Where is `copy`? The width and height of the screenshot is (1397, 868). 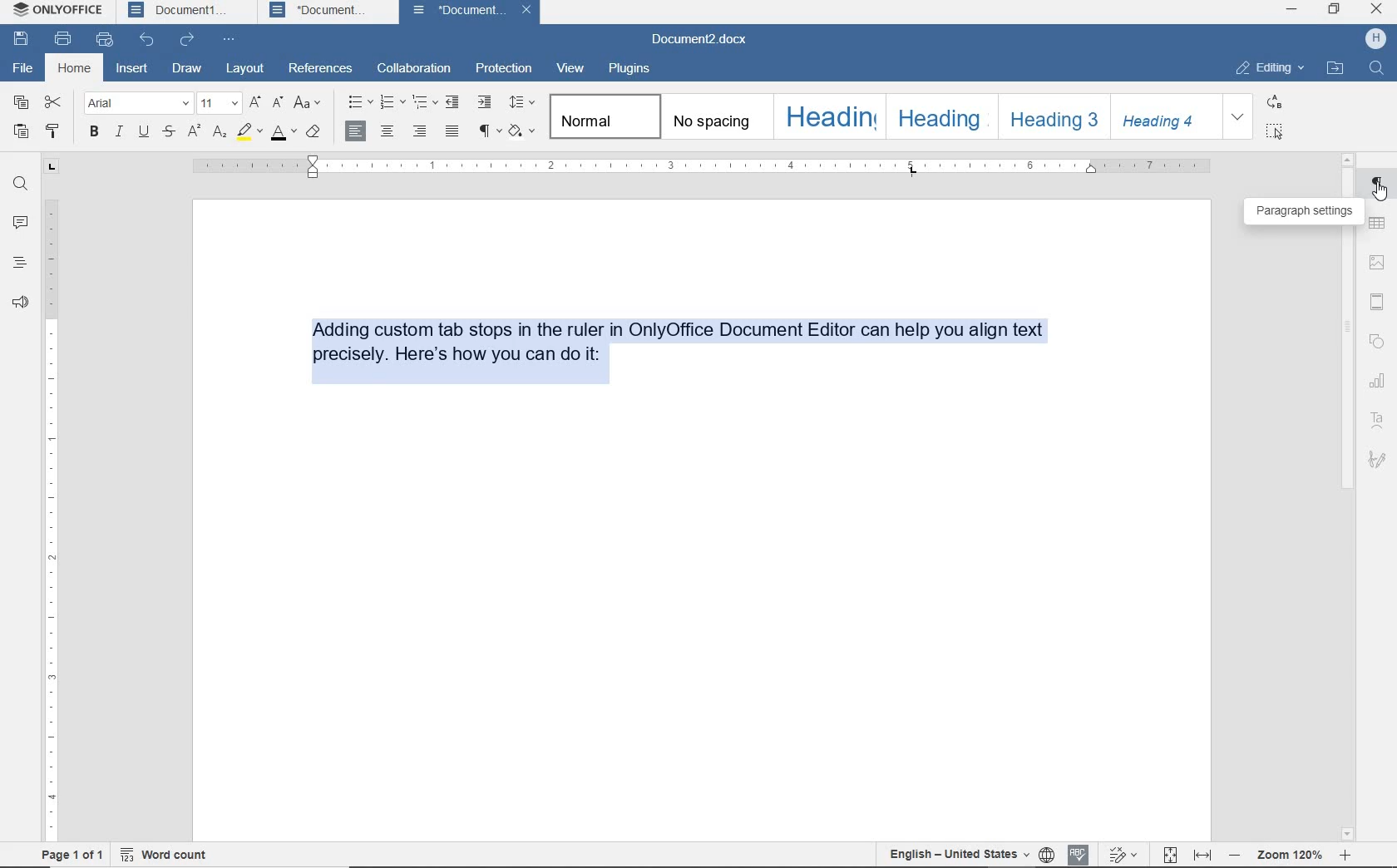 copy is located at coordinates (22, 101).